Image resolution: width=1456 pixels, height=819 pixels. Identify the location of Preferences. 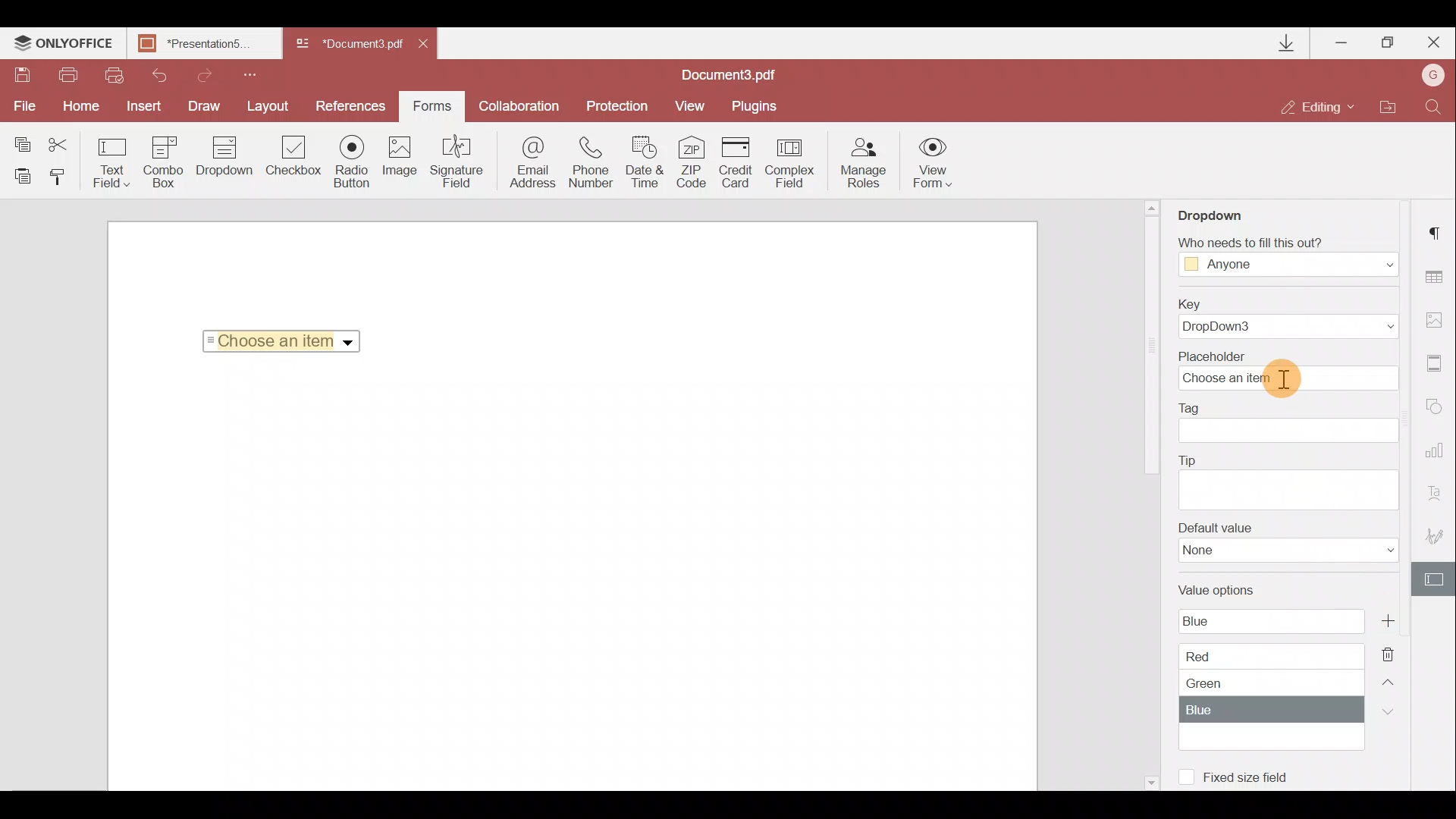
(352, 106).